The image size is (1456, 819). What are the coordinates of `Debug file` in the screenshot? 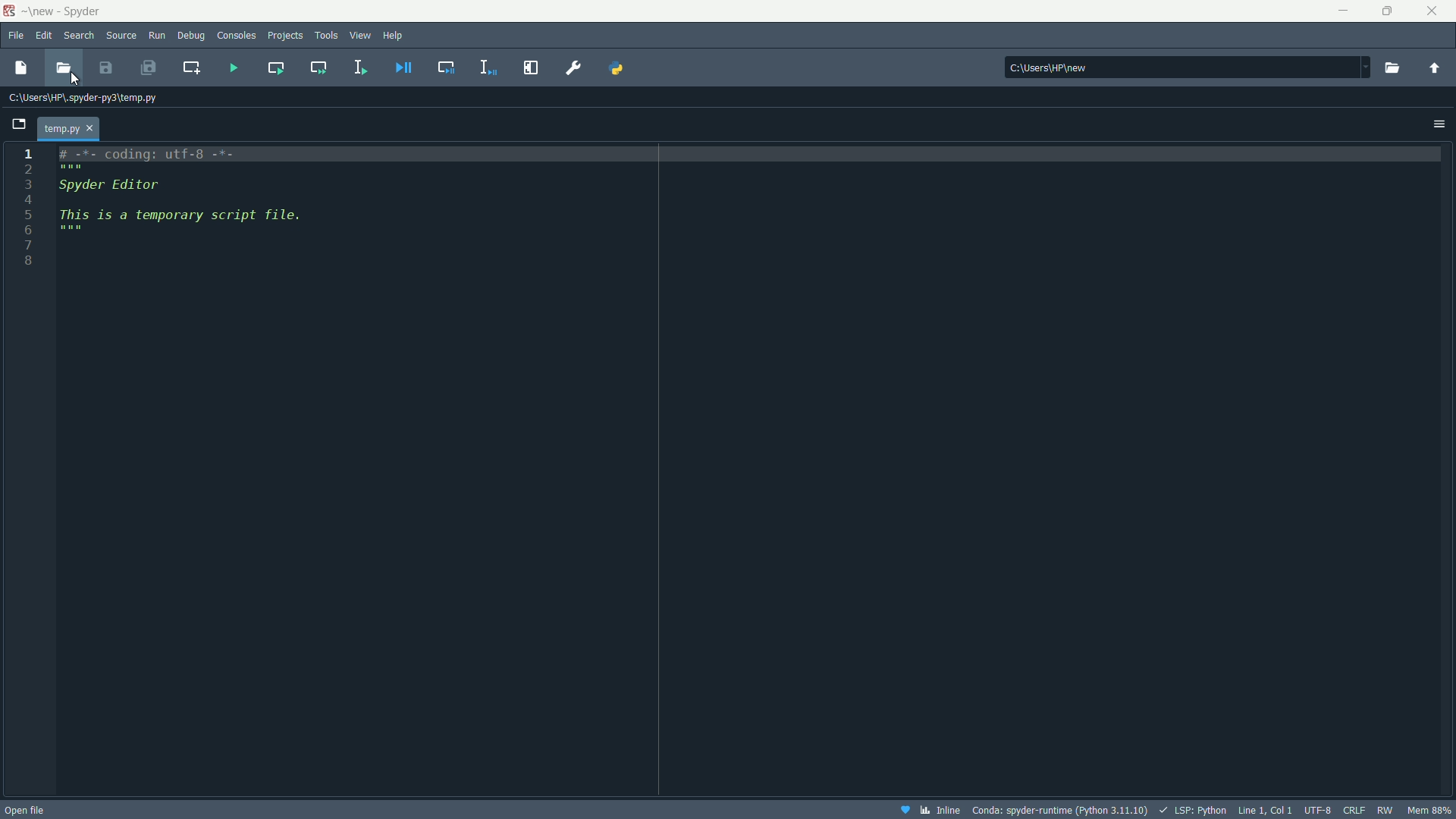 It's located at (404, 67).